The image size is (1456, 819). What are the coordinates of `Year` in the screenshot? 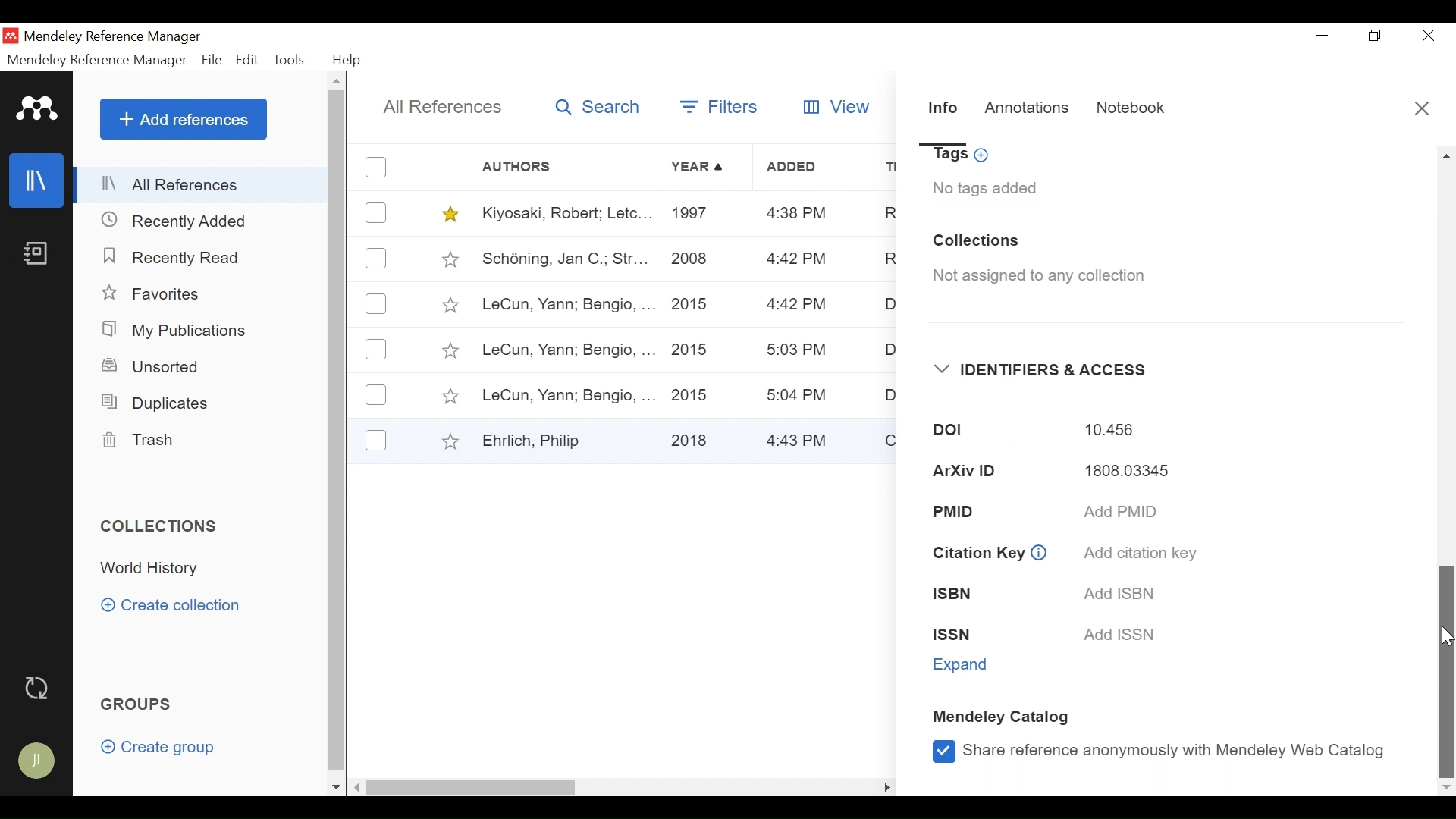 It's located at (700, 168).